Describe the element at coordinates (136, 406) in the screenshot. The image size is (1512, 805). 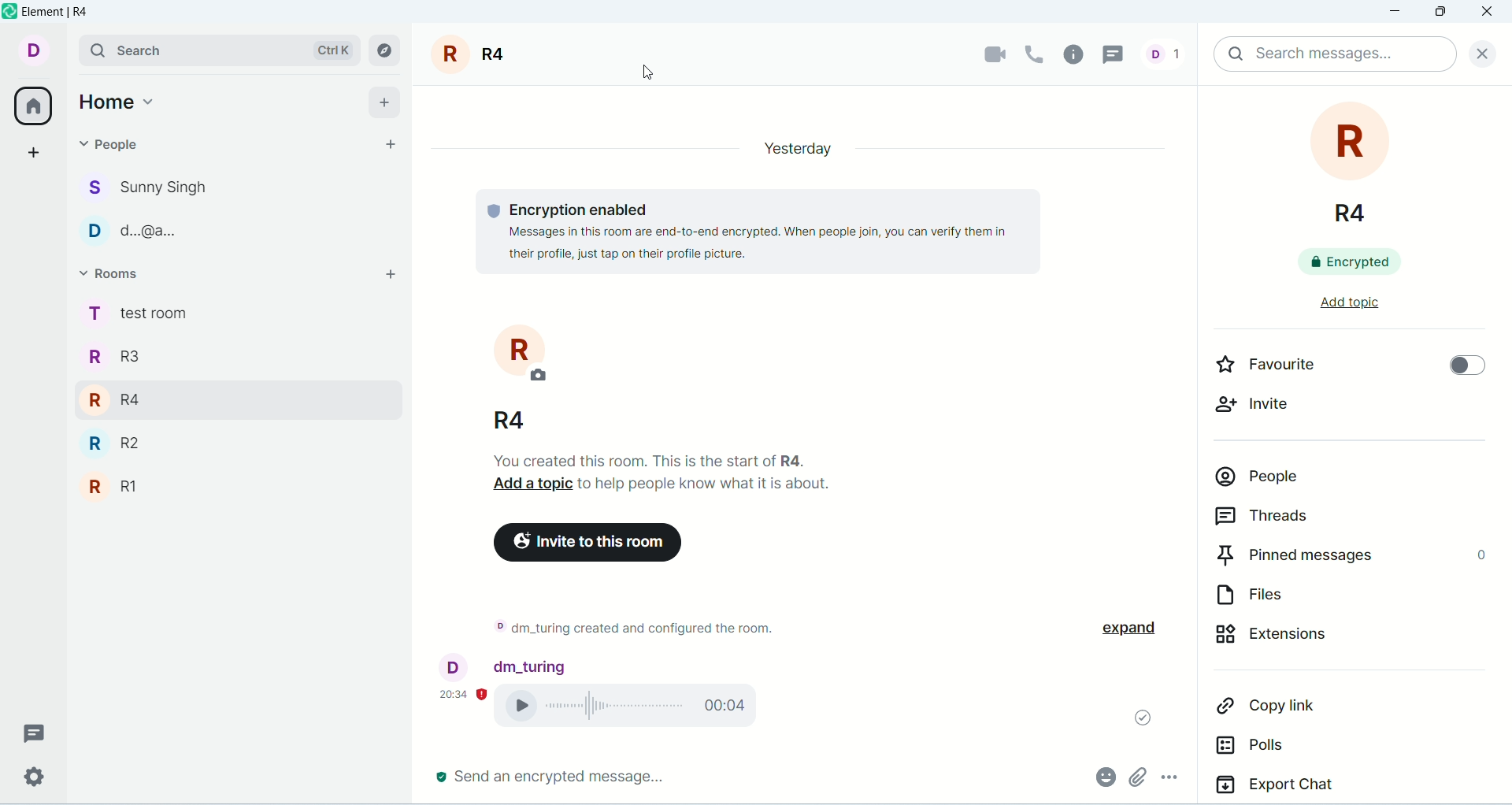
I see `rooms` at that location.